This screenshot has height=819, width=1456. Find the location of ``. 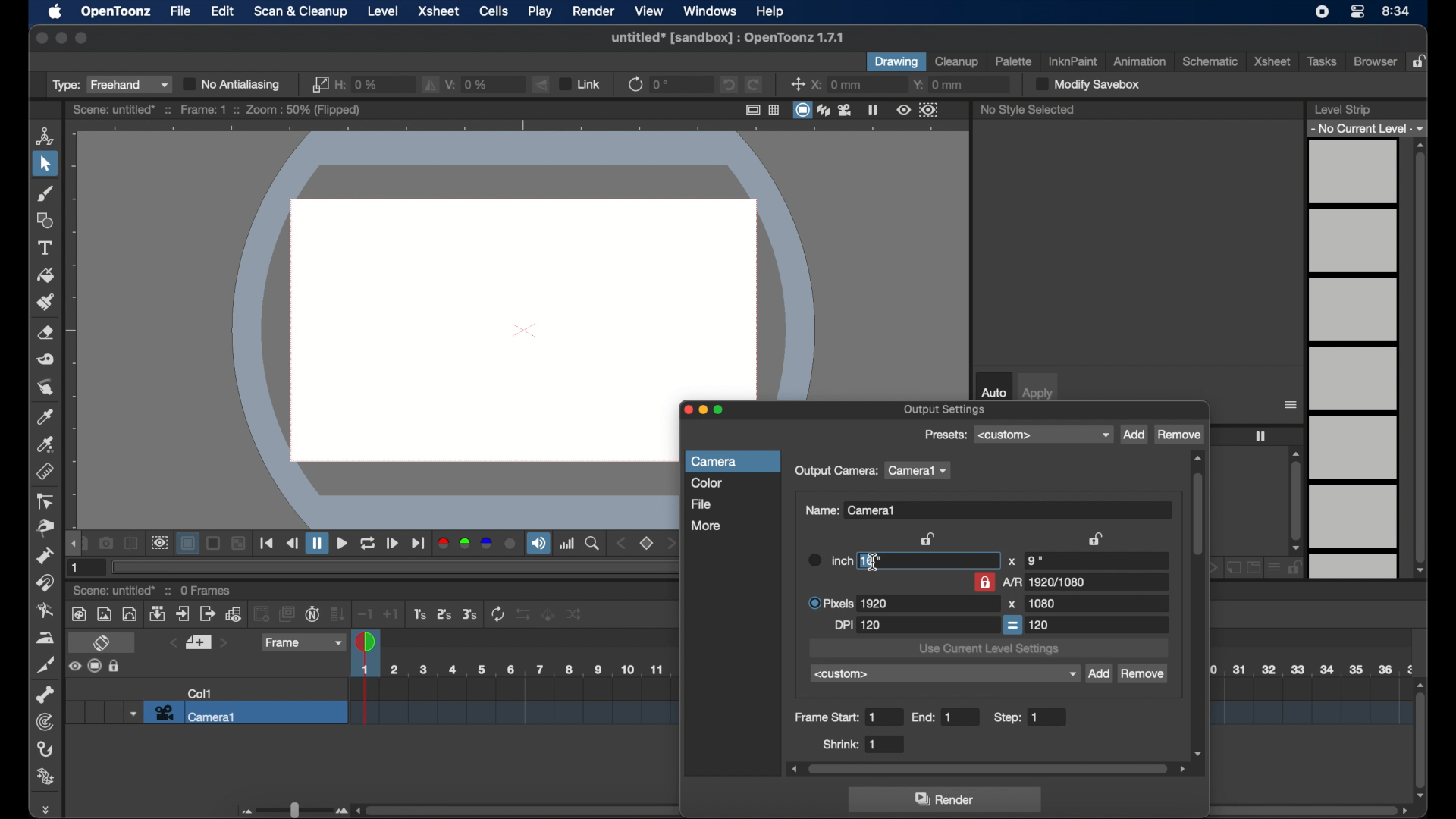

 is located at coordinates (170, 591).